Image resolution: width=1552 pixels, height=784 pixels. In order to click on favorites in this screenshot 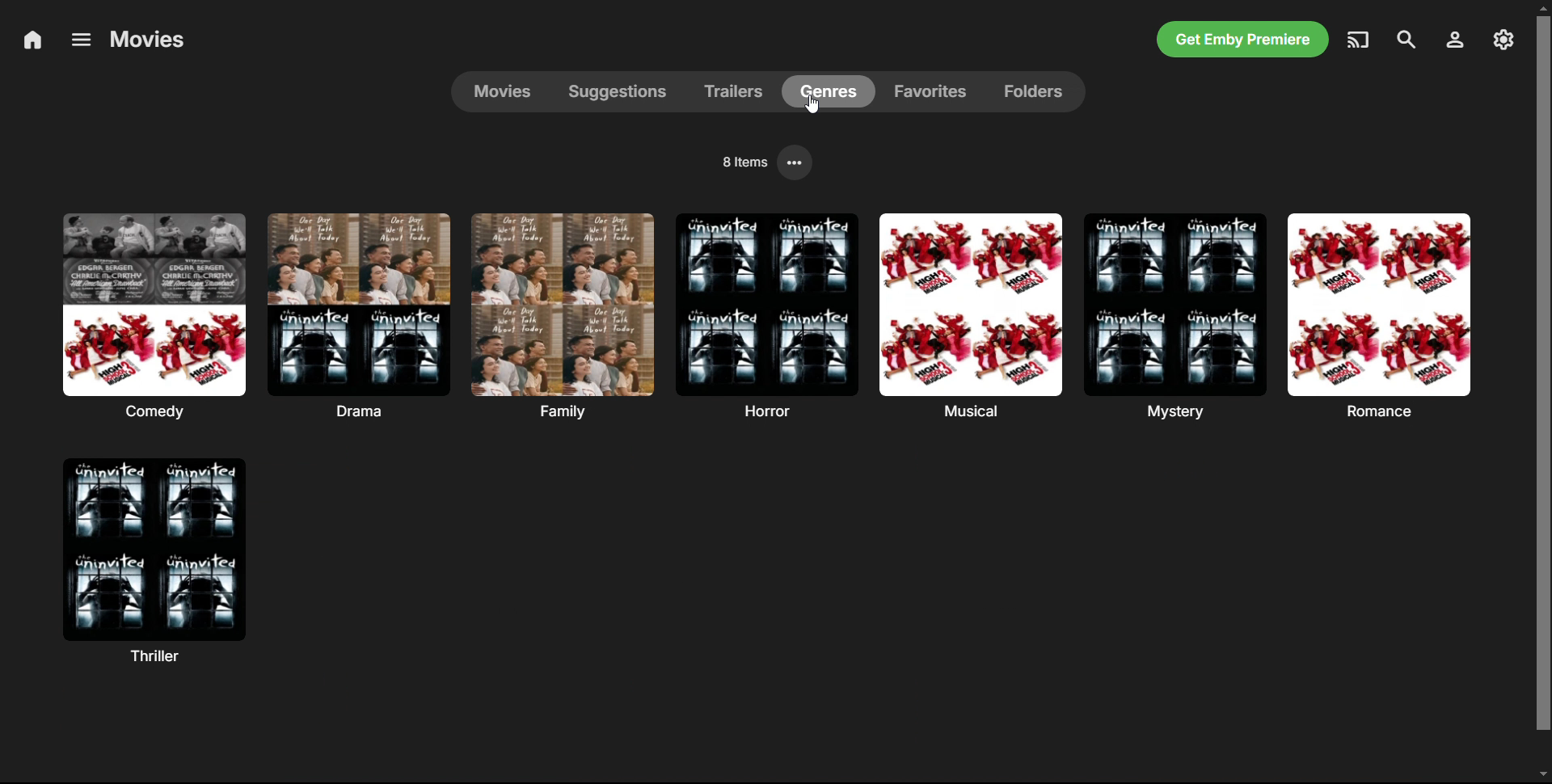, I will do `click(933, 92)`.